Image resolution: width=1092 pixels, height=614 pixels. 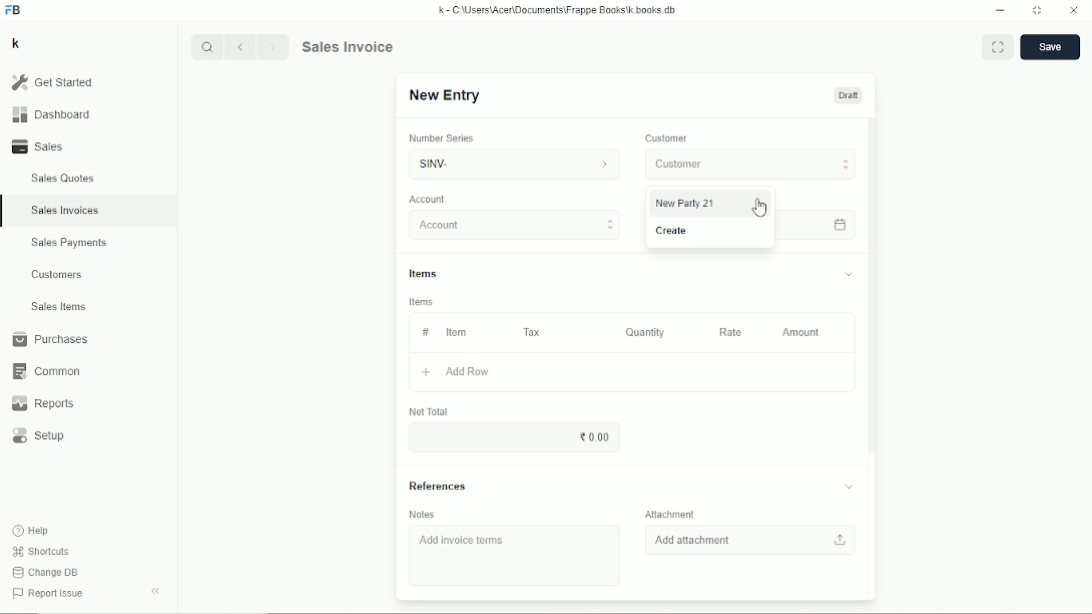 What do you see at coordinates (347, 46) in the screenshot?
I see `Sales invoice` at bounding box center [347, 46].